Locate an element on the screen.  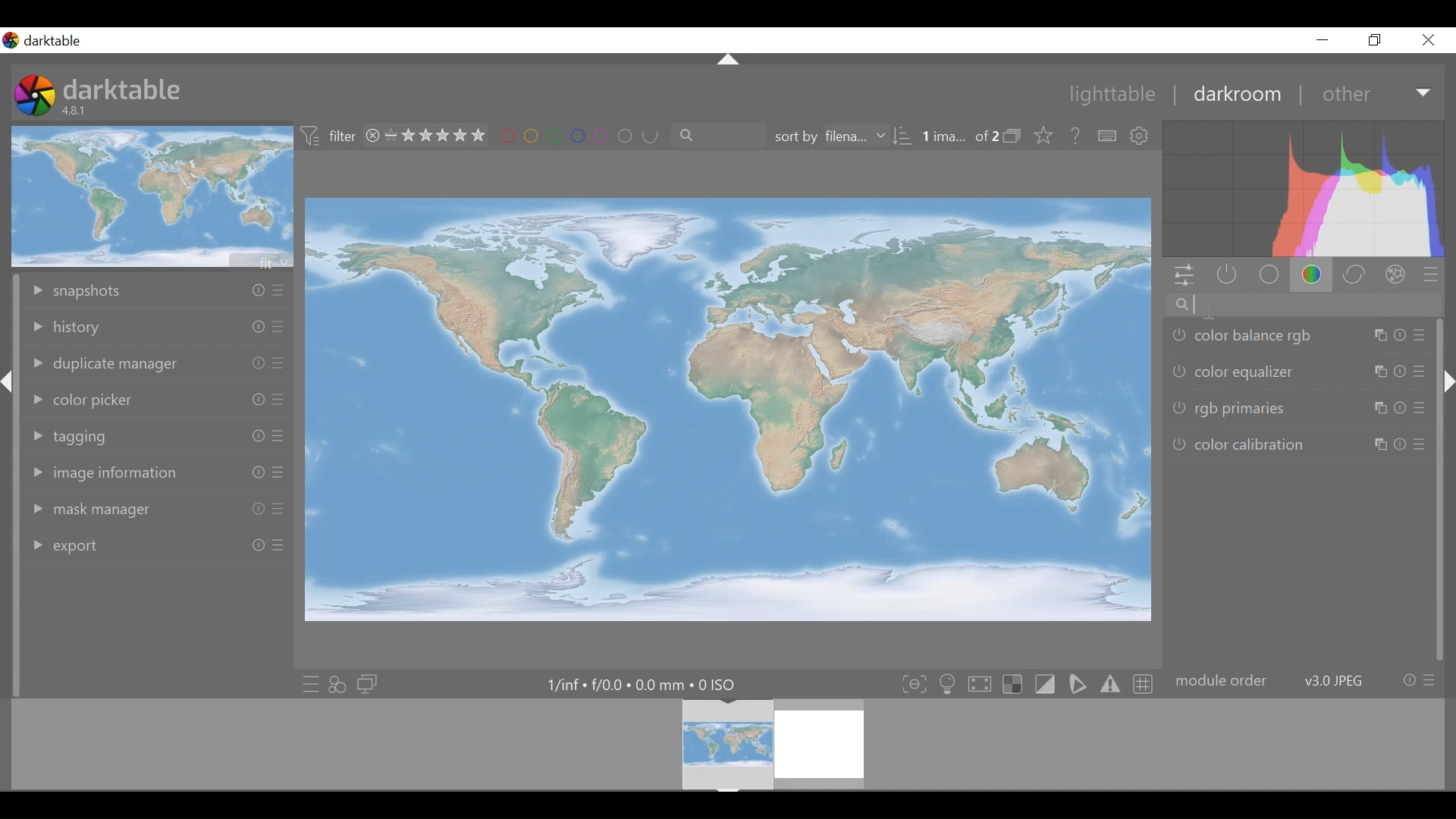
toggle indication of raw overexposure is located at coordinates (1012, 684).